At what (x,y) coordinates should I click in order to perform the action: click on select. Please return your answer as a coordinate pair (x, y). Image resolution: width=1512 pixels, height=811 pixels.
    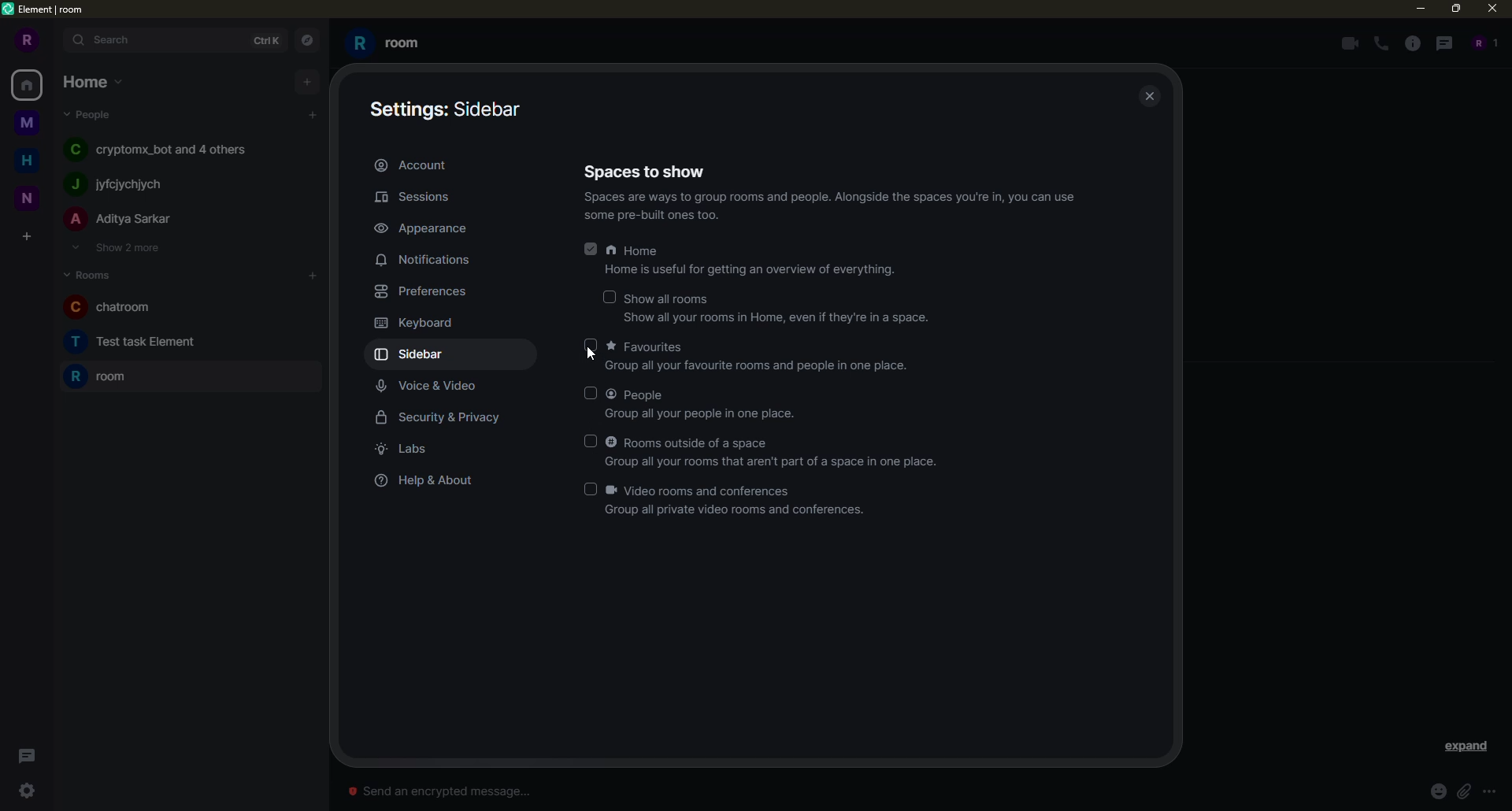
    Looking at the image, I should click on (588, 441).